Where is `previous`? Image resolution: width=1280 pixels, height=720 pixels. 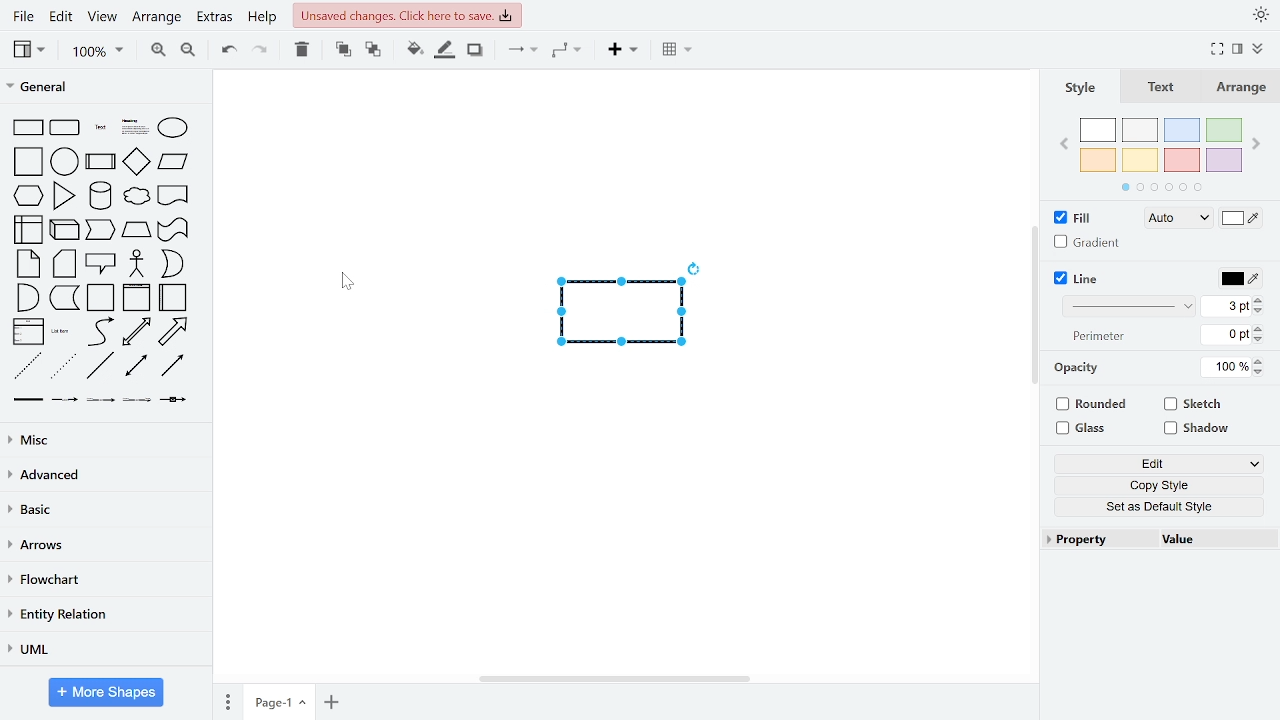
previous is located at coordinates (1067, 146).